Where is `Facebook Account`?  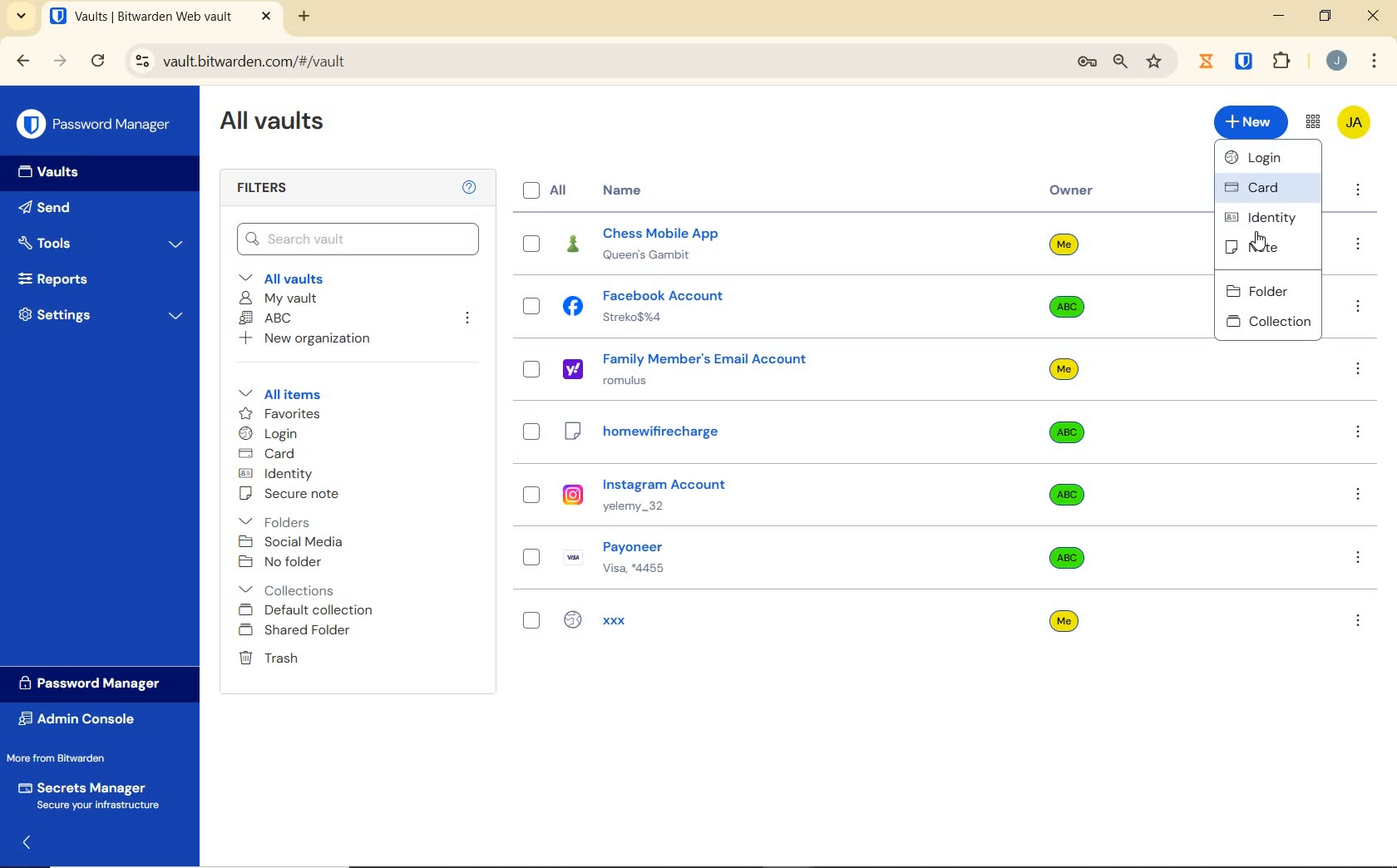 Facebook Account is located at coordinates (659, 306).